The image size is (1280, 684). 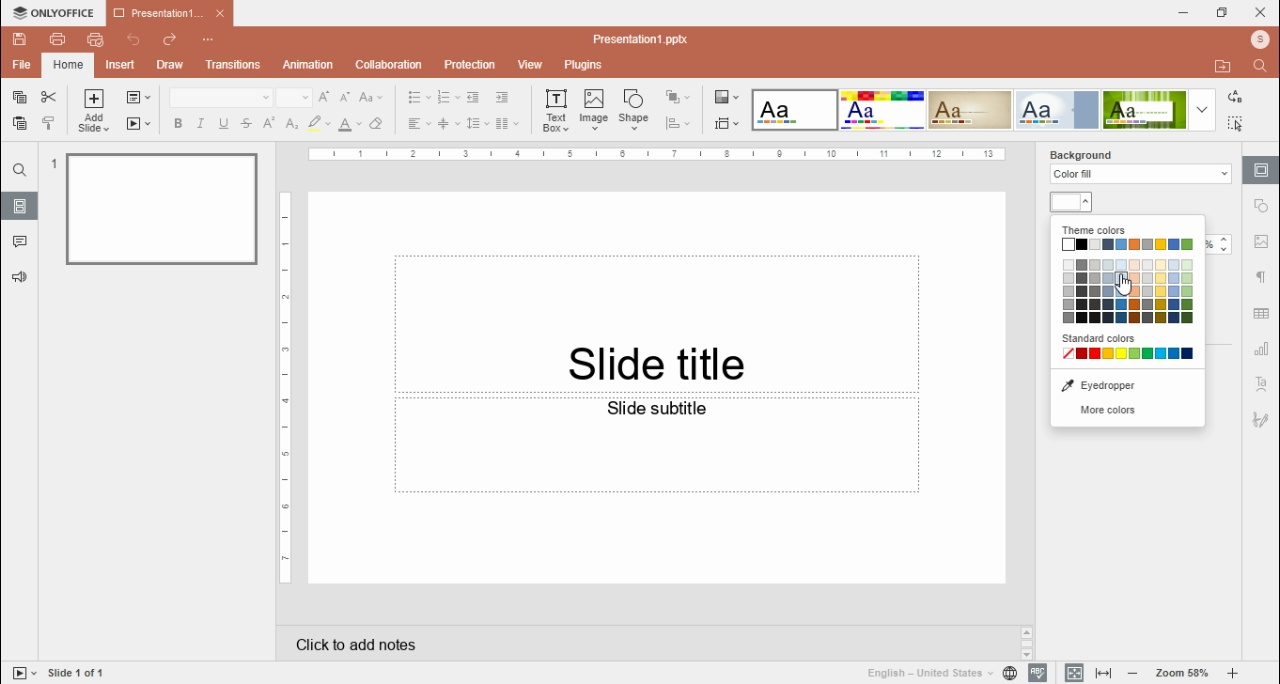 I want to click on paragraph settings, so click(x=1263, y=276).